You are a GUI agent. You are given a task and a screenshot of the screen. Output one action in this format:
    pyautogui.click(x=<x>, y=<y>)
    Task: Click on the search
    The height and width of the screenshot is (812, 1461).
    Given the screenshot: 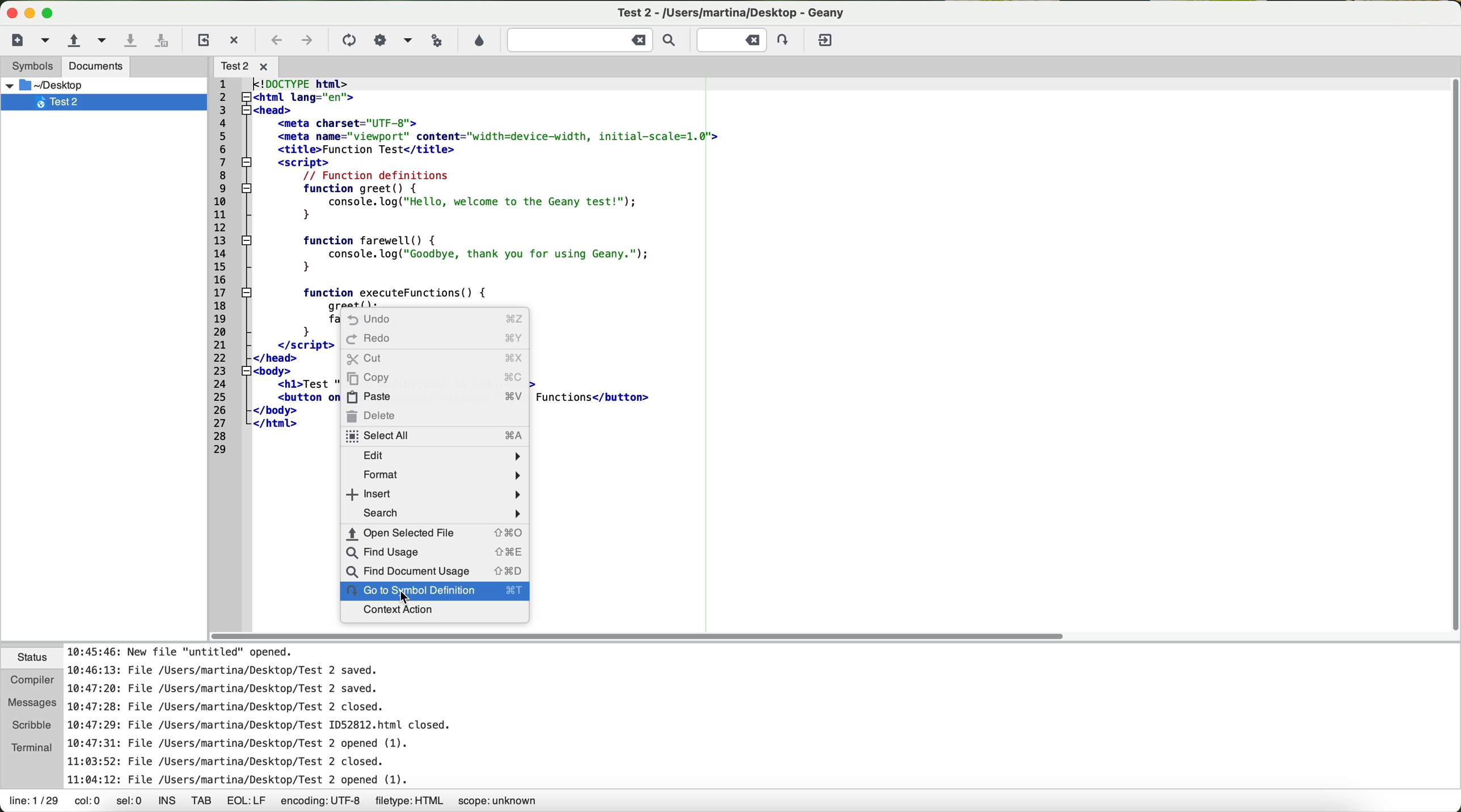 What is the action you would take?
    pyautogui.click(x=436, y=513)
    